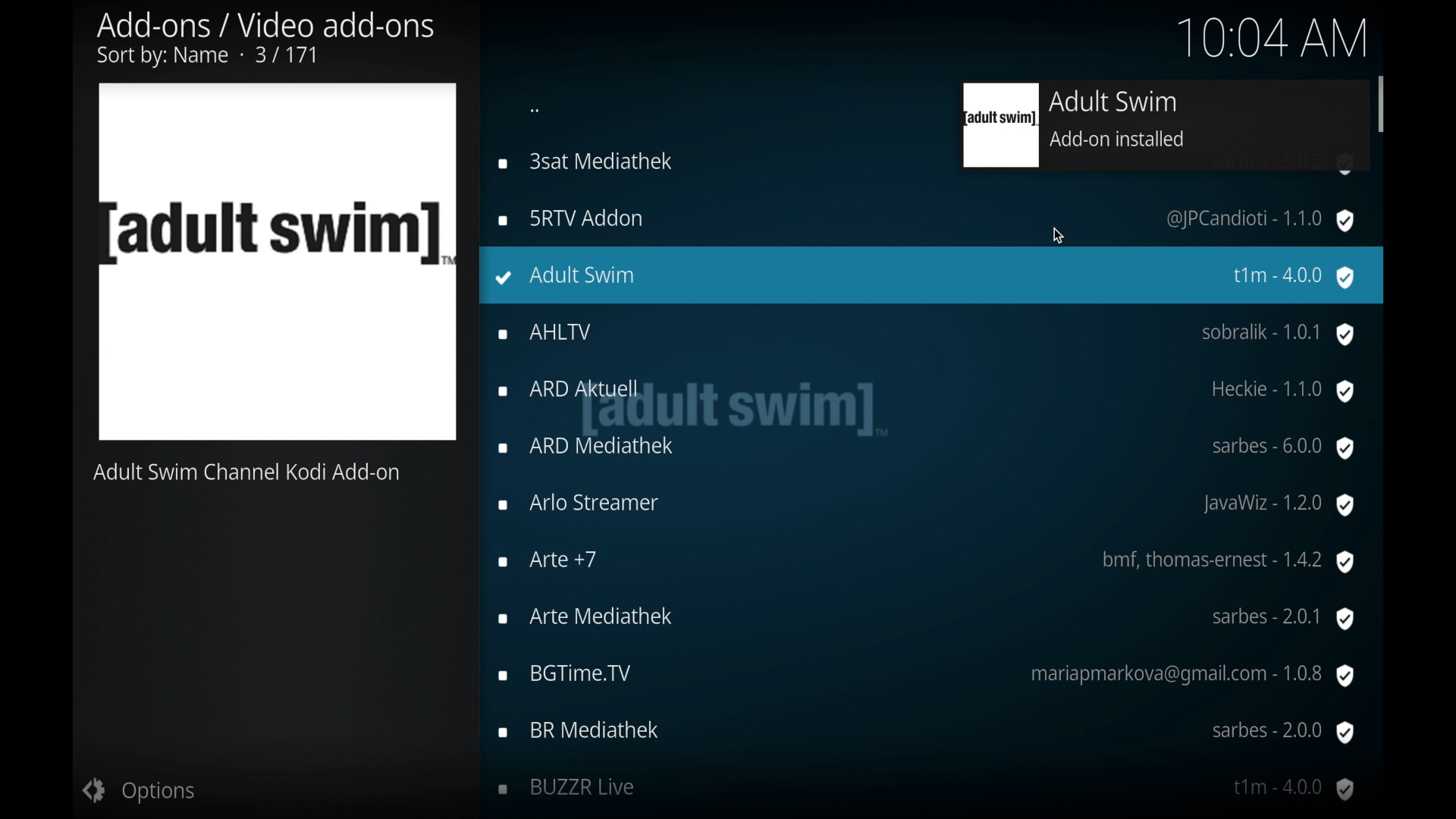 The height and width of the screenshot is (819, 1456). Describe the element at coordinates (1278, 33) in the screenshot. I see `time` at that location.